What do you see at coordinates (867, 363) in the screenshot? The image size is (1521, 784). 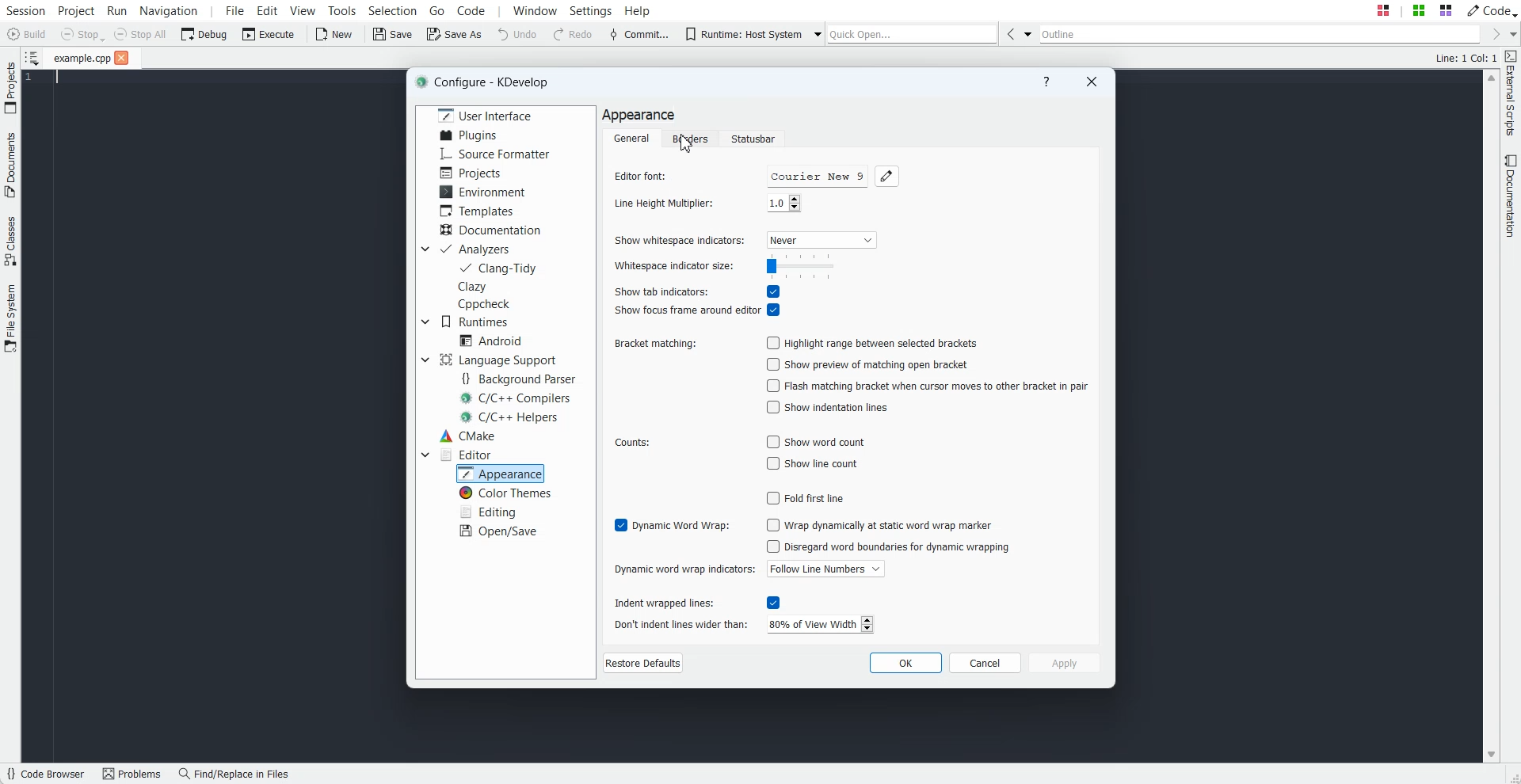 I see `Disable show preview of matching open bracket` at bounding box center [867, 363].